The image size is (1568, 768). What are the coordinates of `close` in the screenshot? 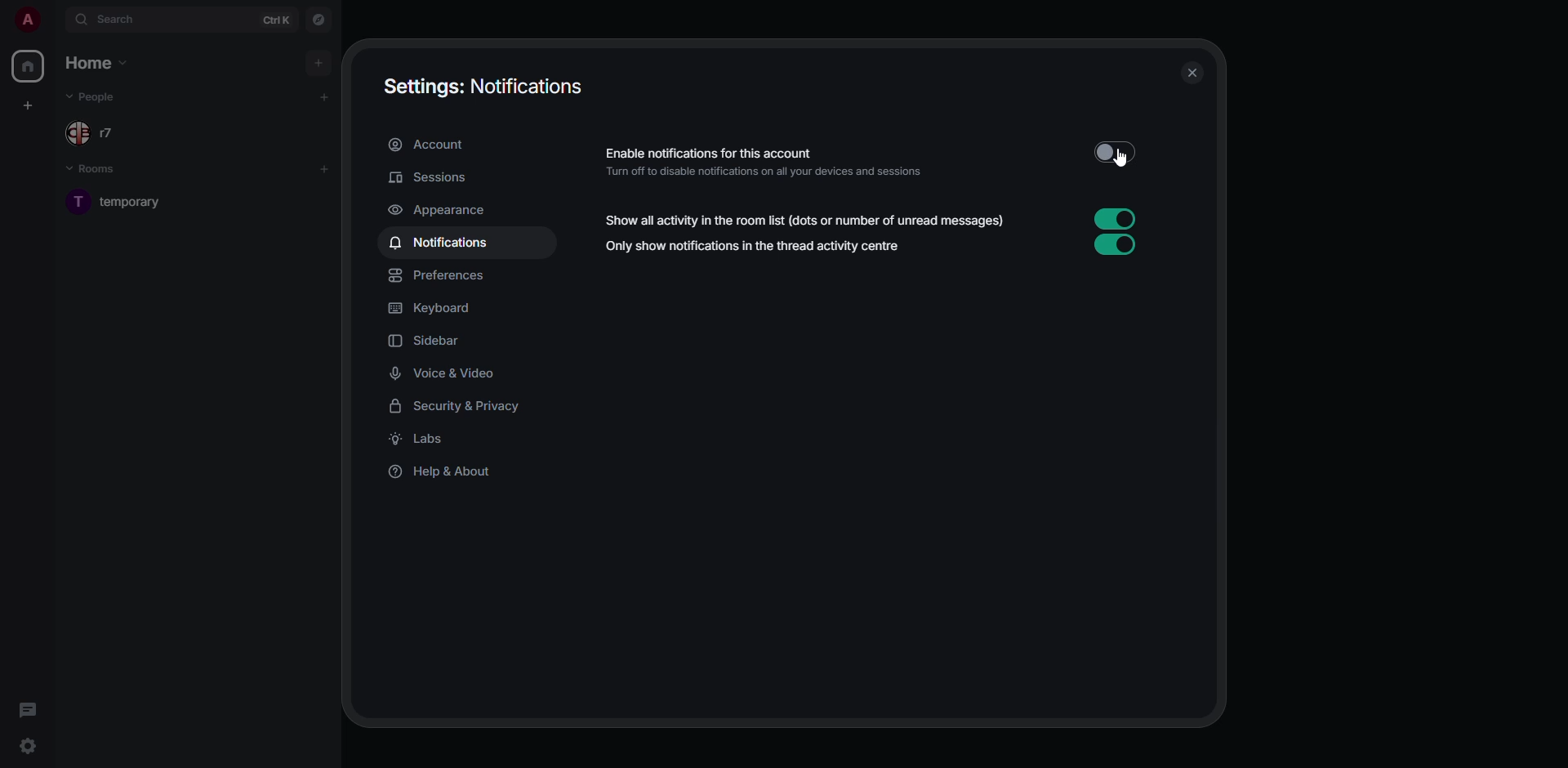 It's located at (1188, 73).